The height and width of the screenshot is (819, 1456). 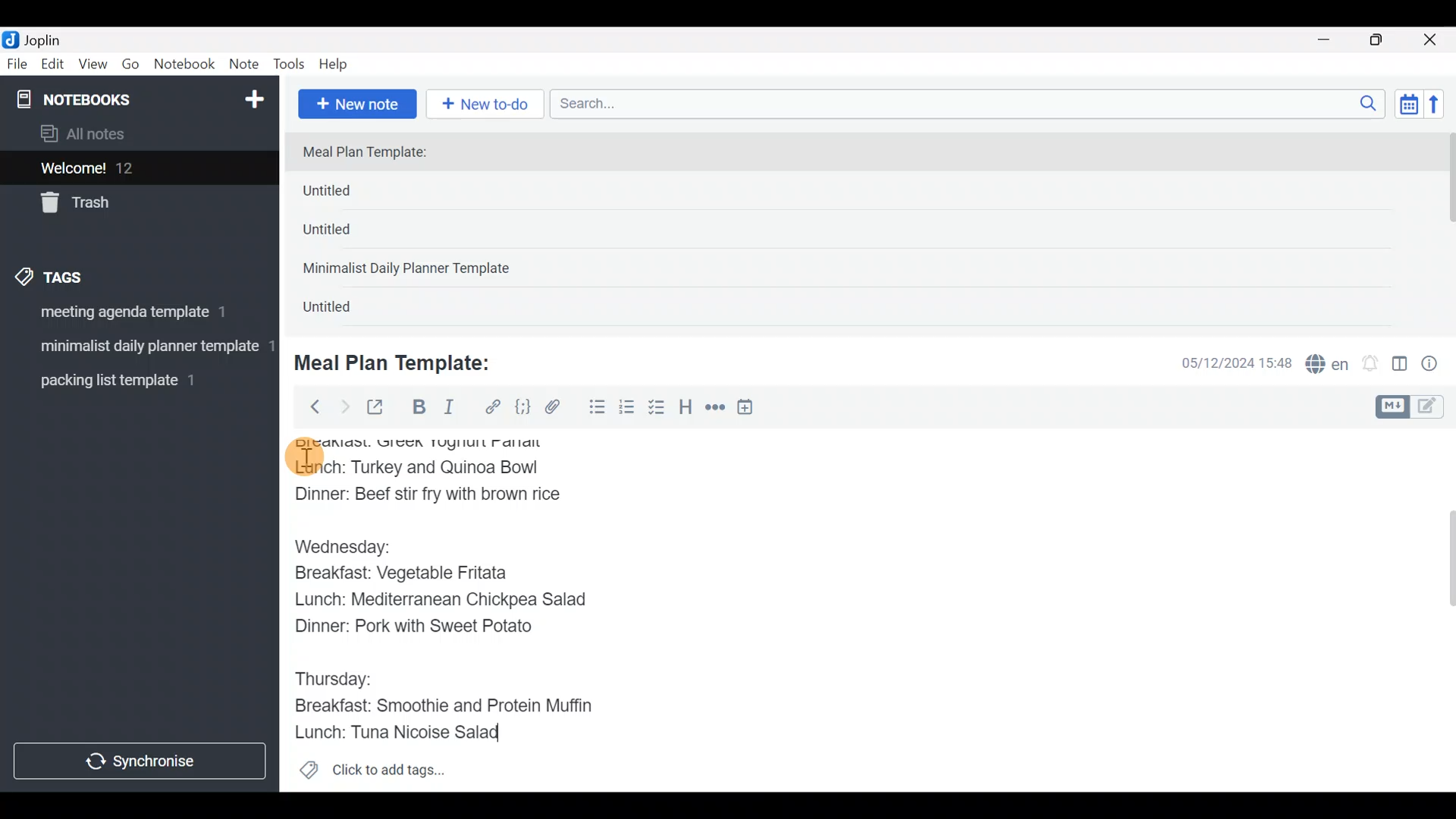 What do you see at coordinates (971, 102) in the screenshot?
I see `Search bar` at bounding box center [971, 102].